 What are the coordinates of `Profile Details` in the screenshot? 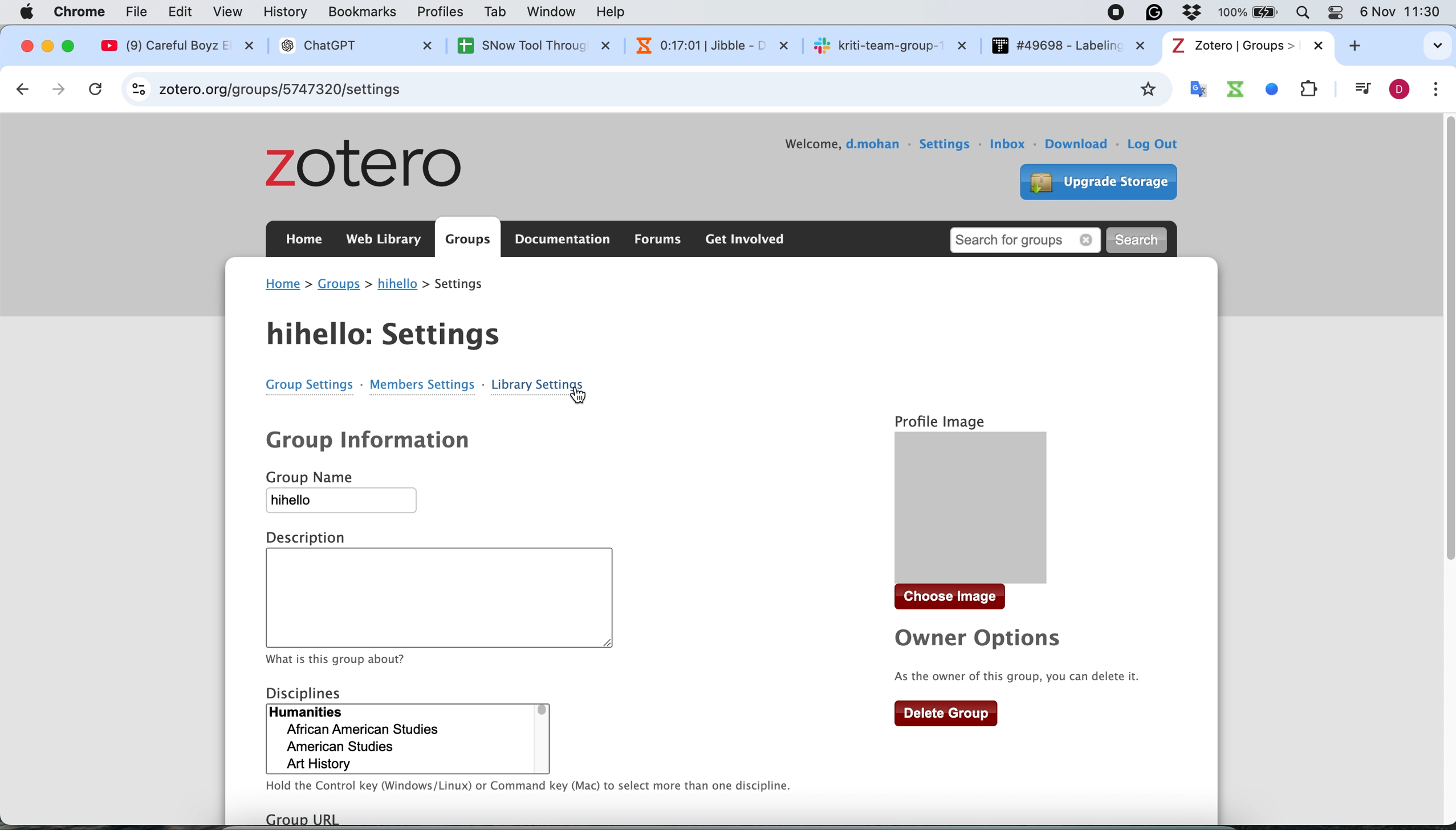 It's located at (943, 415).